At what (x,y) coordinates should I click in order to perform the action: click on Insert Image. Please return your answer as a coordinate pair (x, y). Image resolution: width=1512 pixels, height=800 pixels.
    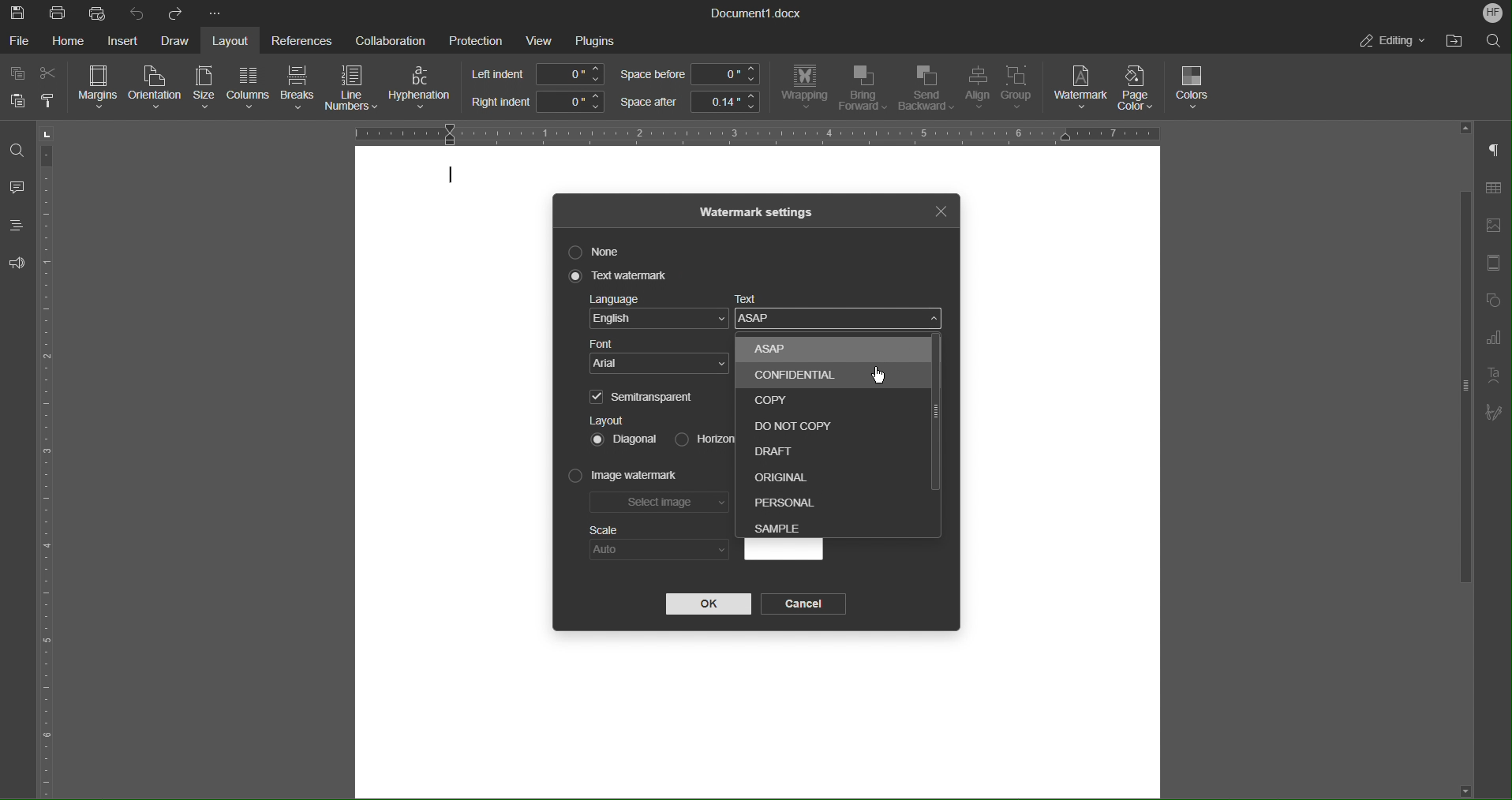
    Looking at the image, I should click on (1493, 226).